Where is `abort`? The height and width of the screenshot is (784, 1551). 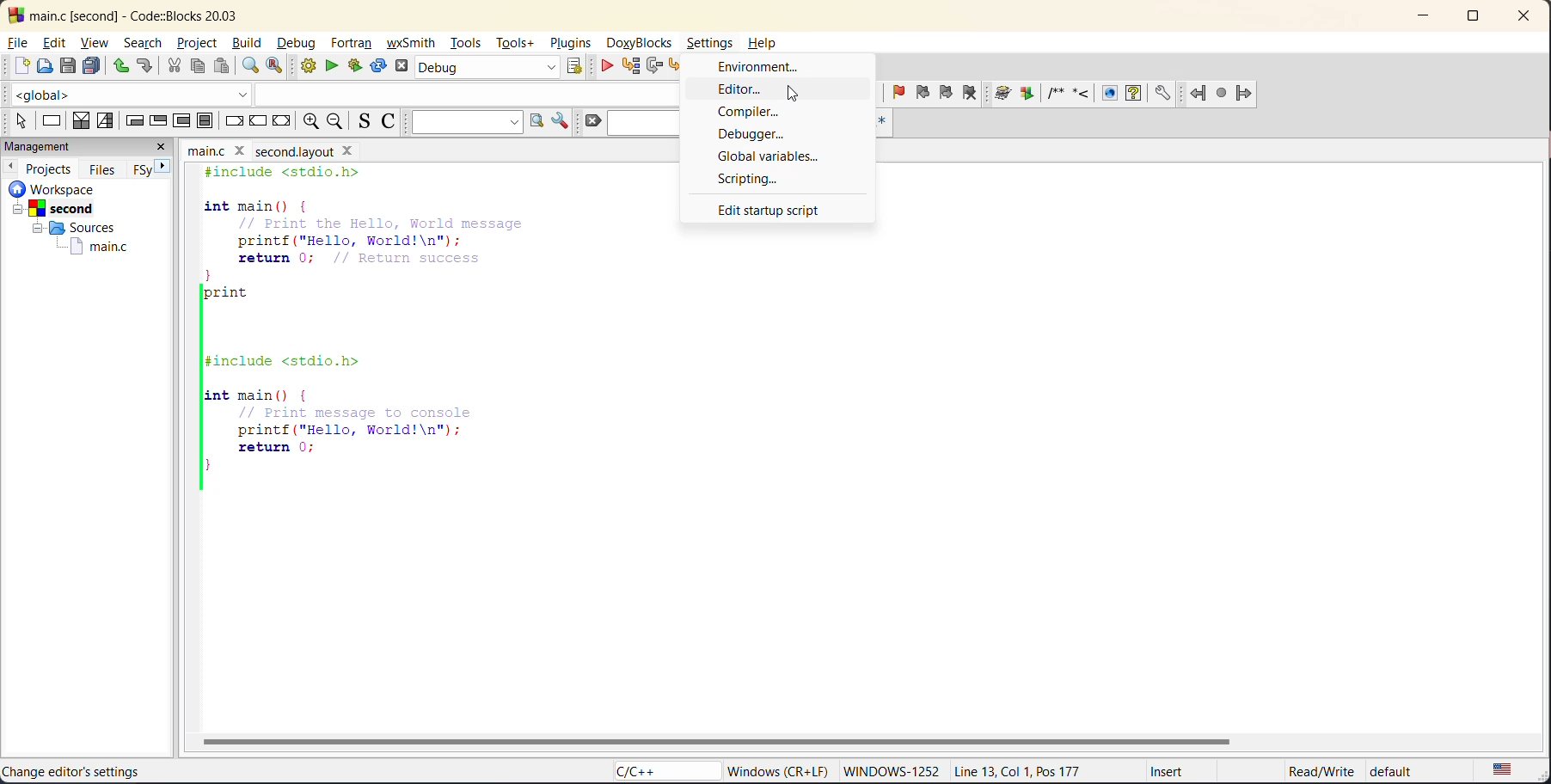 abort is located at coordinates (405, 67).